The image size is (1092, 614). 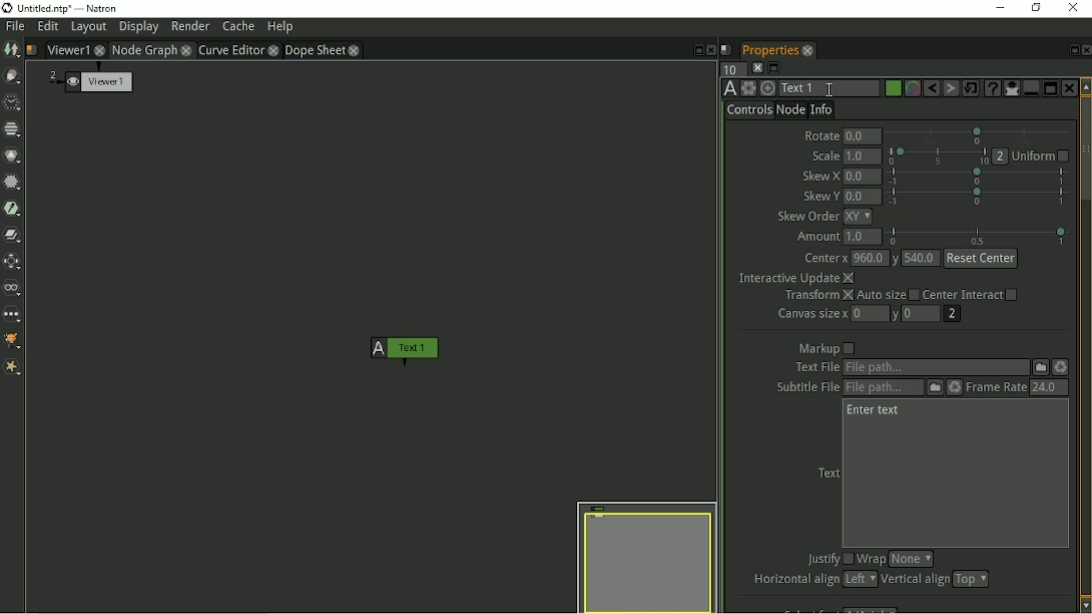 What do you see at coordinates (14, 340) in the screenshot?
I see `GMIC` at bounding box center [14, 340].